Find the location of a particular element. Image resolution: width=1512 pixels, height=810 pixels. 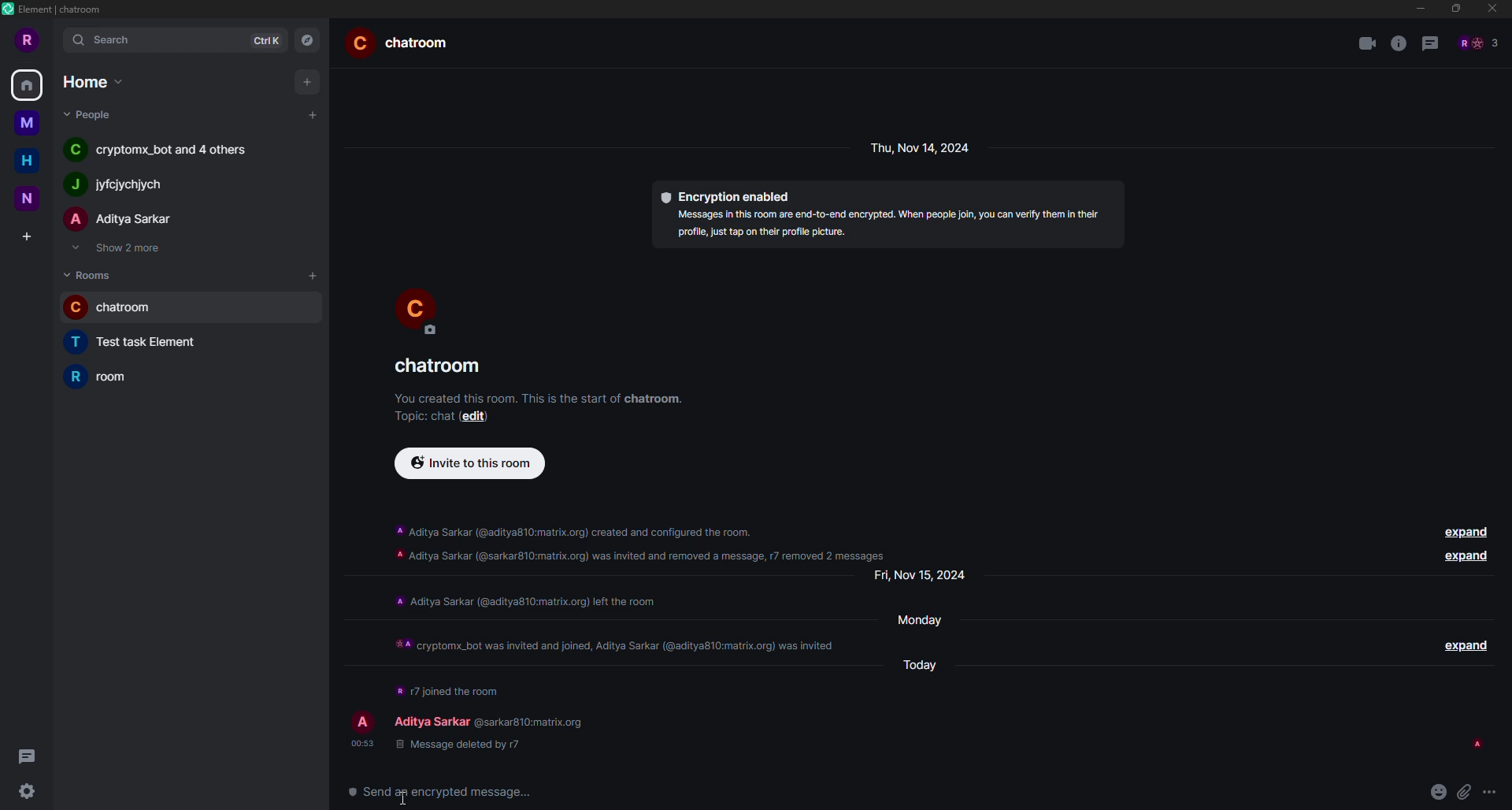

info is located at coordinates (617, 639).